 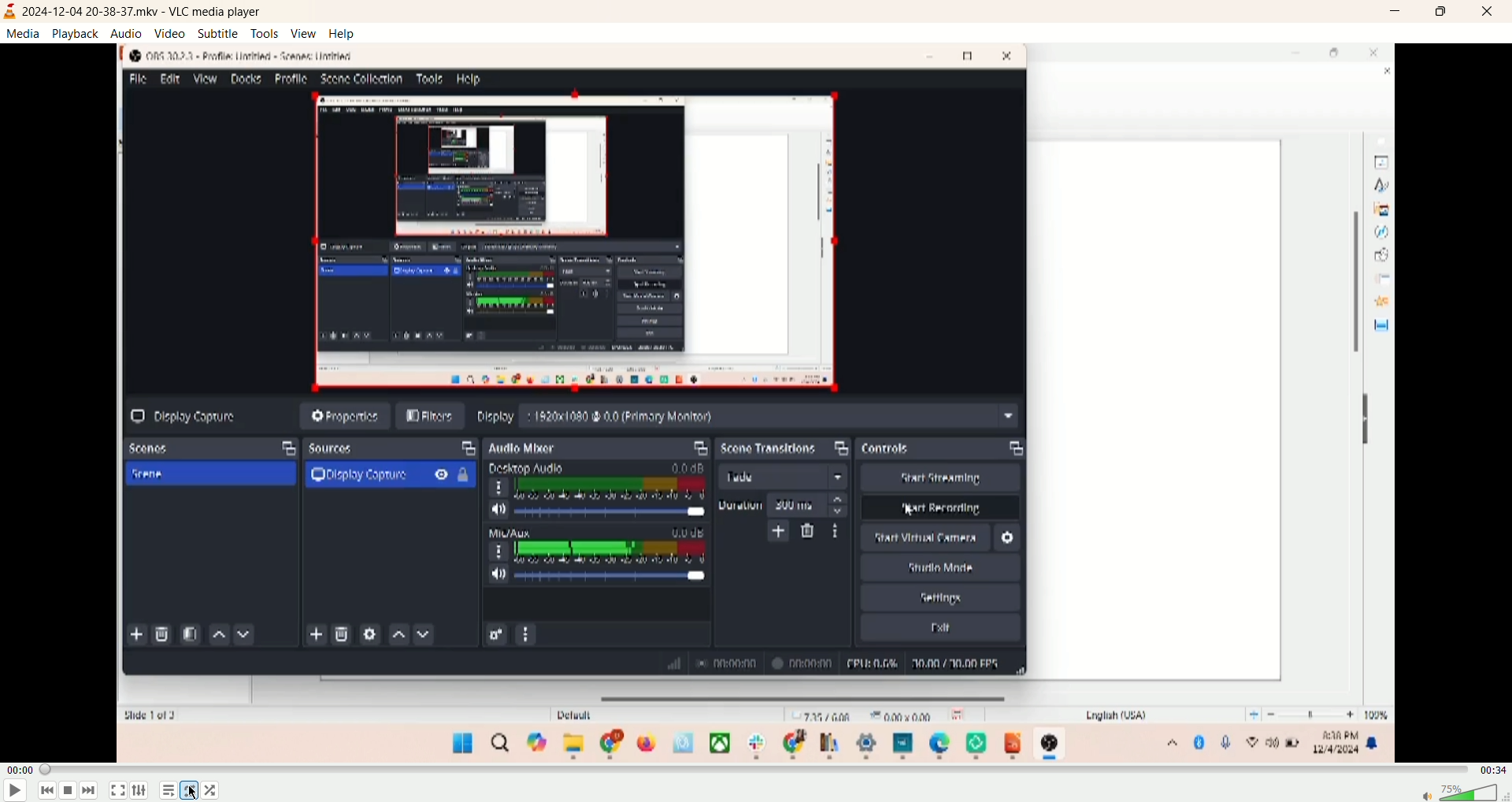 What do you see at coordinates (758, 405) in the screenshot?
I see `main screen` at bounding box center [758, 405].